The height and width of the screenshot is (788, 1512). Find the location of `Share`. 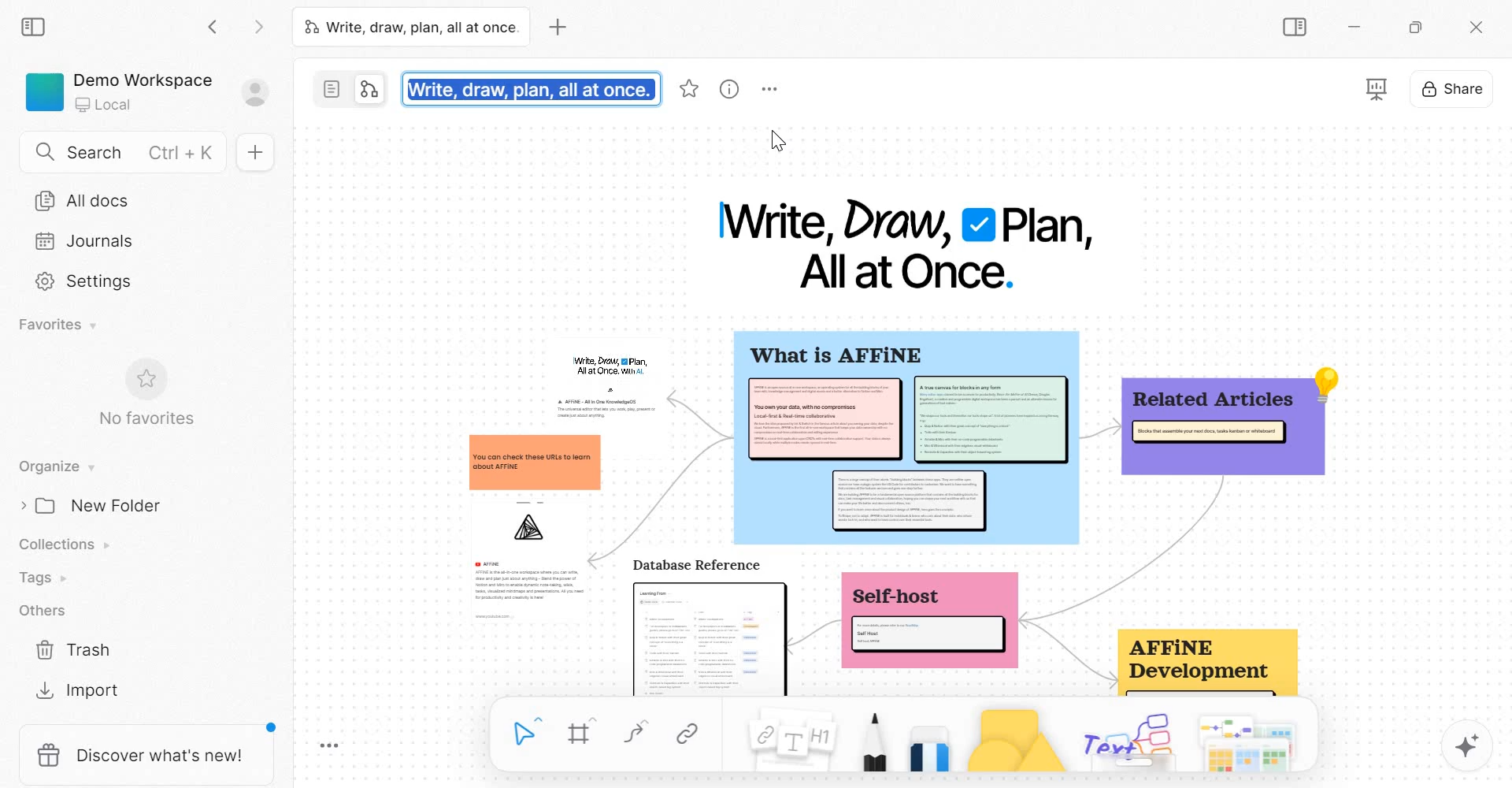

Share is located at coordinates (1451, 87).